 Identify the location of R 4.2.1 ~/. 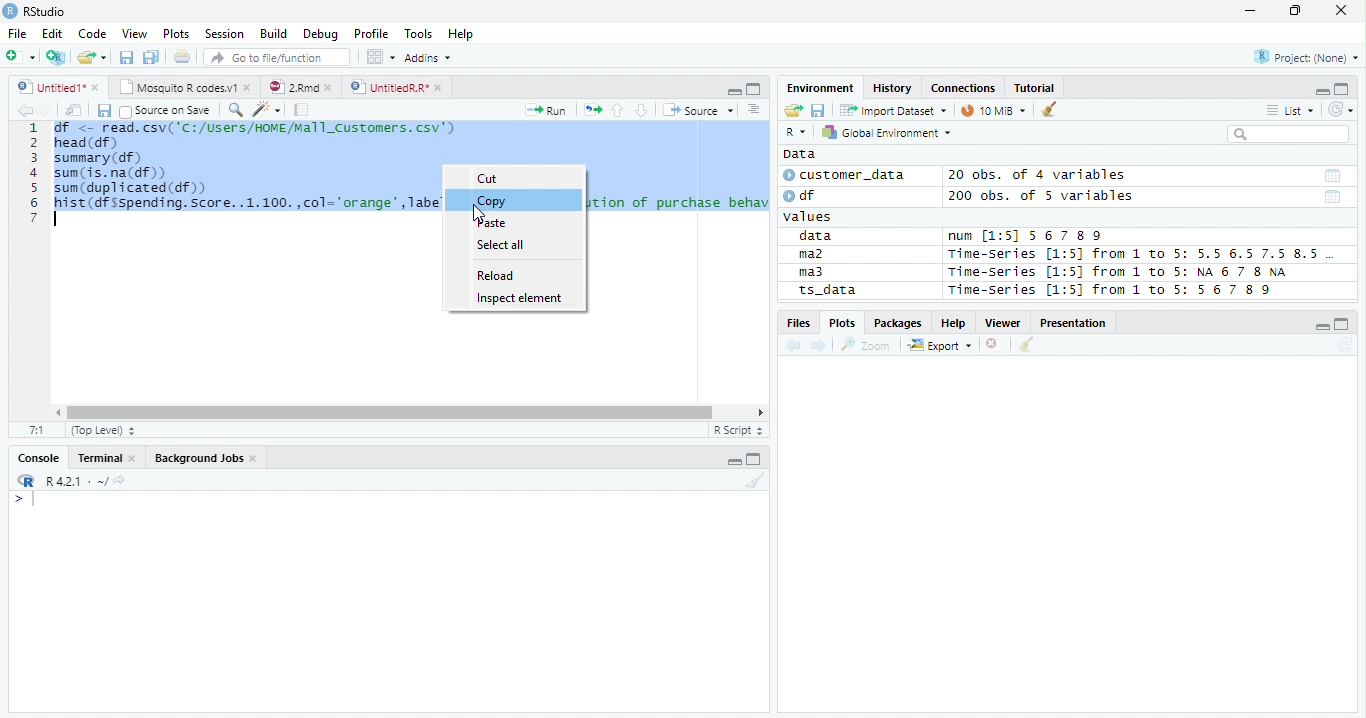
(75, 480).